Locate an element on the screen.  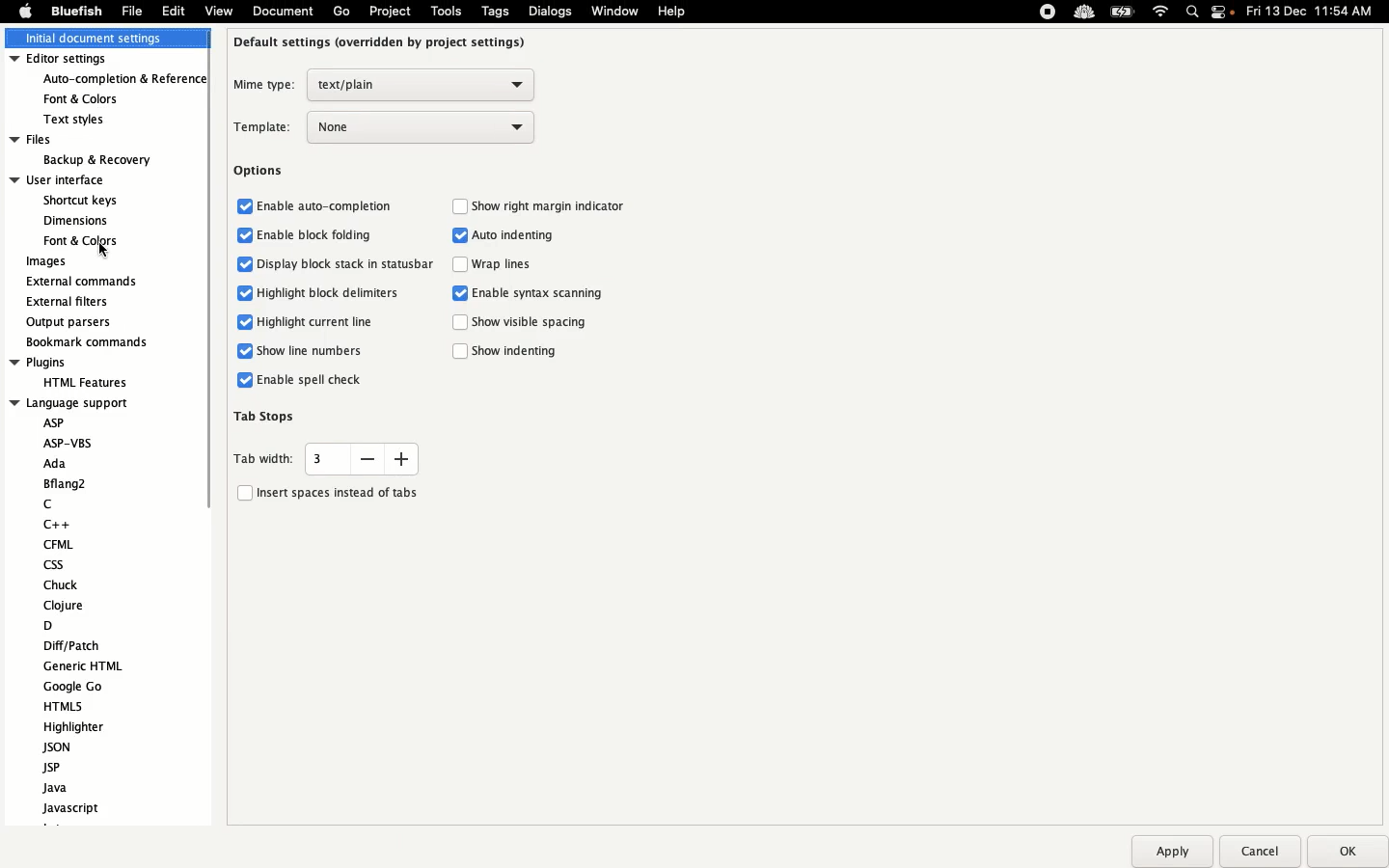
Insert spaces instead of tabs is located at coordinates (327, 491).